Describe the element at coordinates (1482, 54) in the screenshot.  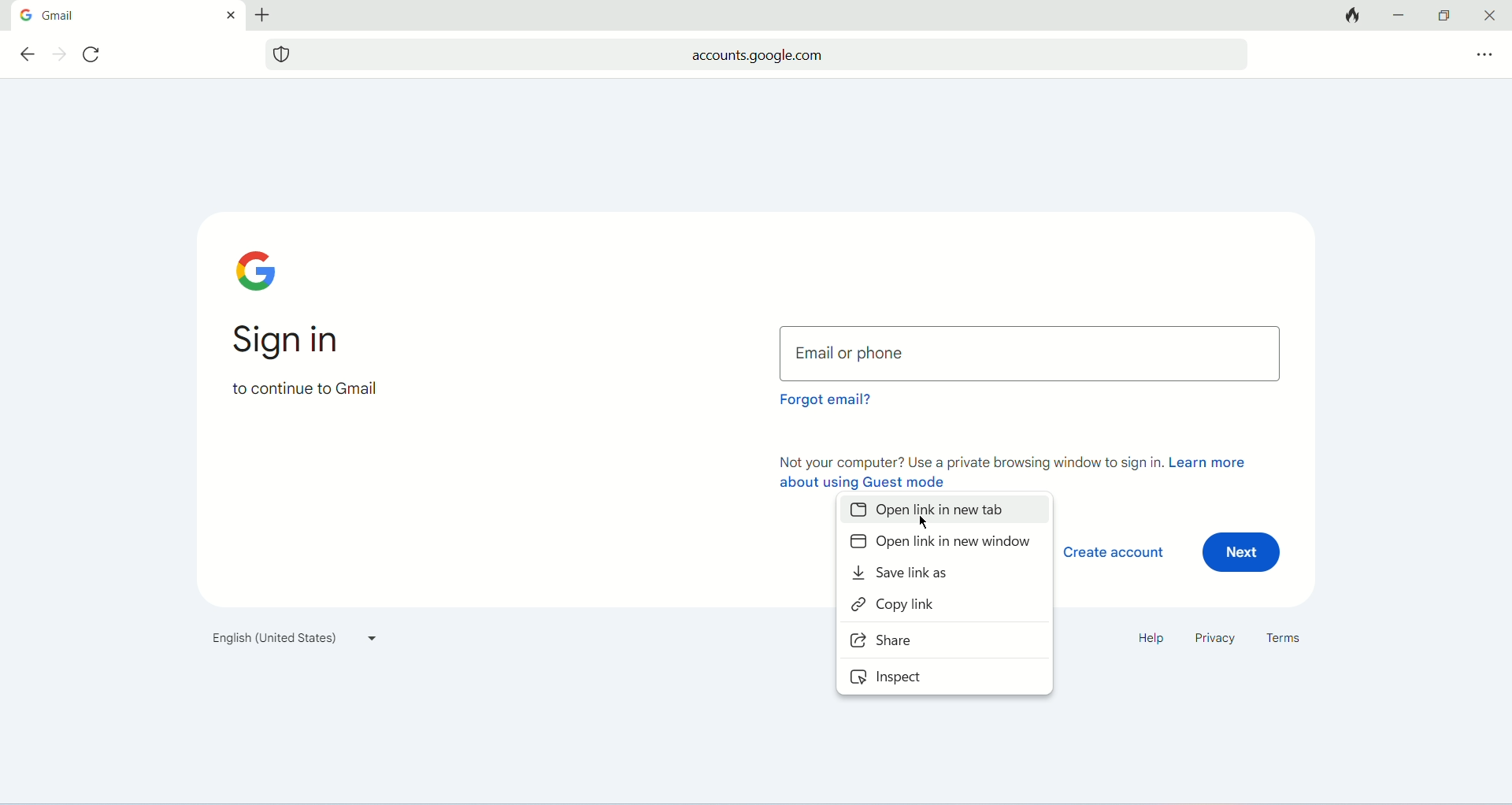
I see `more options` at that location.